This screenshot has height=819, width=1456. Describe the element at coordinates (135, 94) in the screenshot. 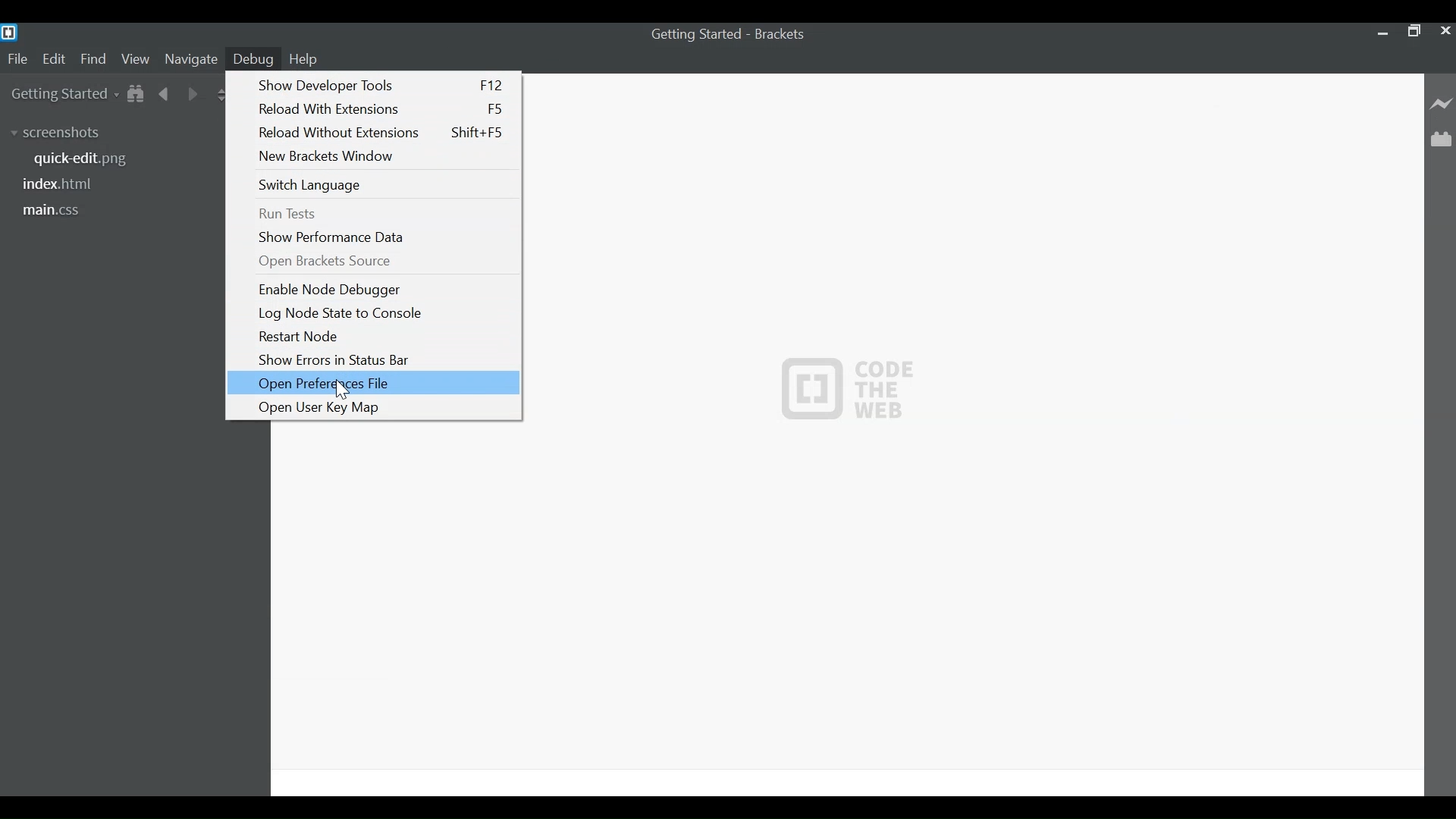

I see `Show in File tree` at that location.